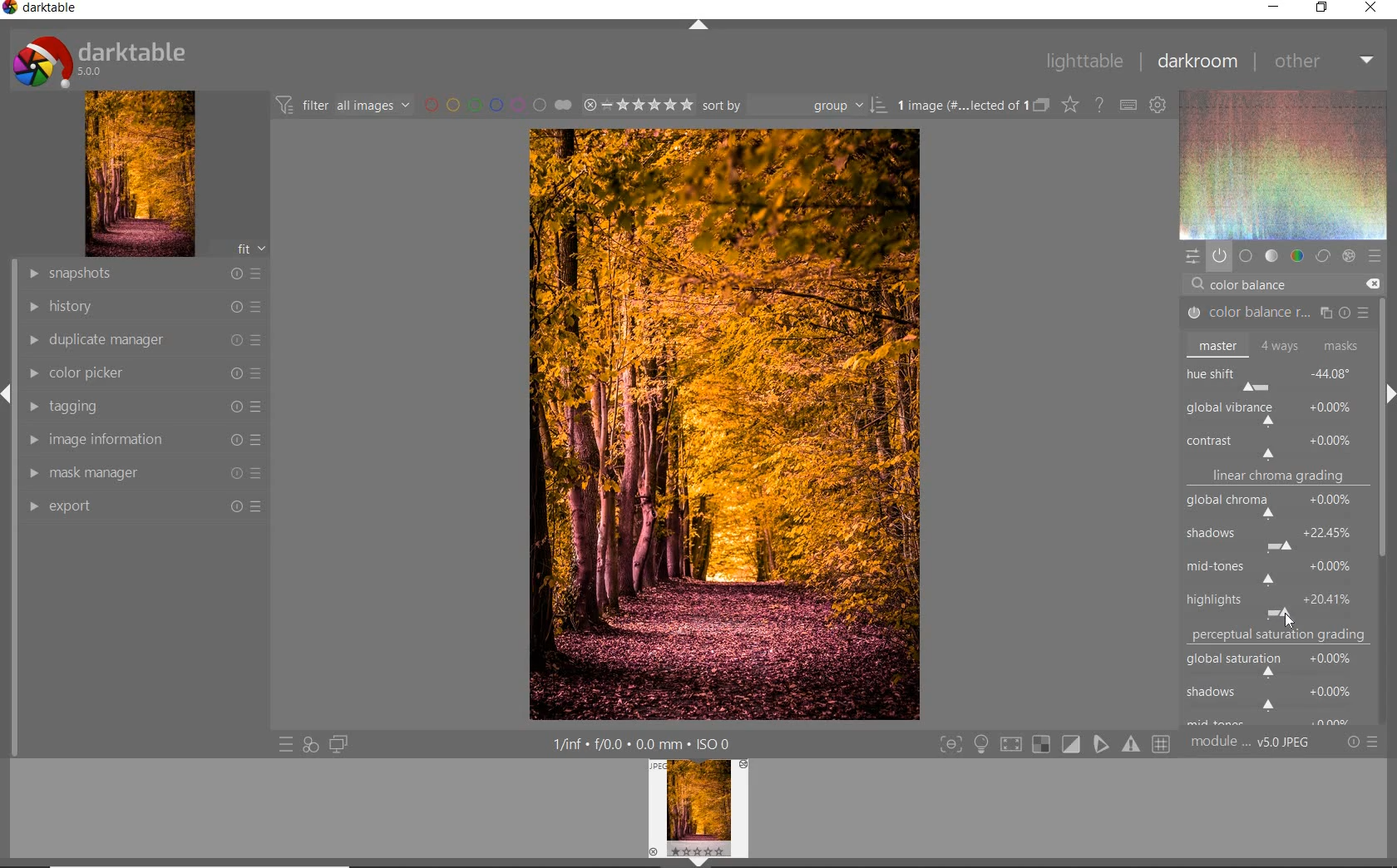 This screenshot has width=1397, height=868. What do you see at coordinates (335, 744) in the screenshot?
I see `display a second darkroom image window` at bounding box center [335, 744].